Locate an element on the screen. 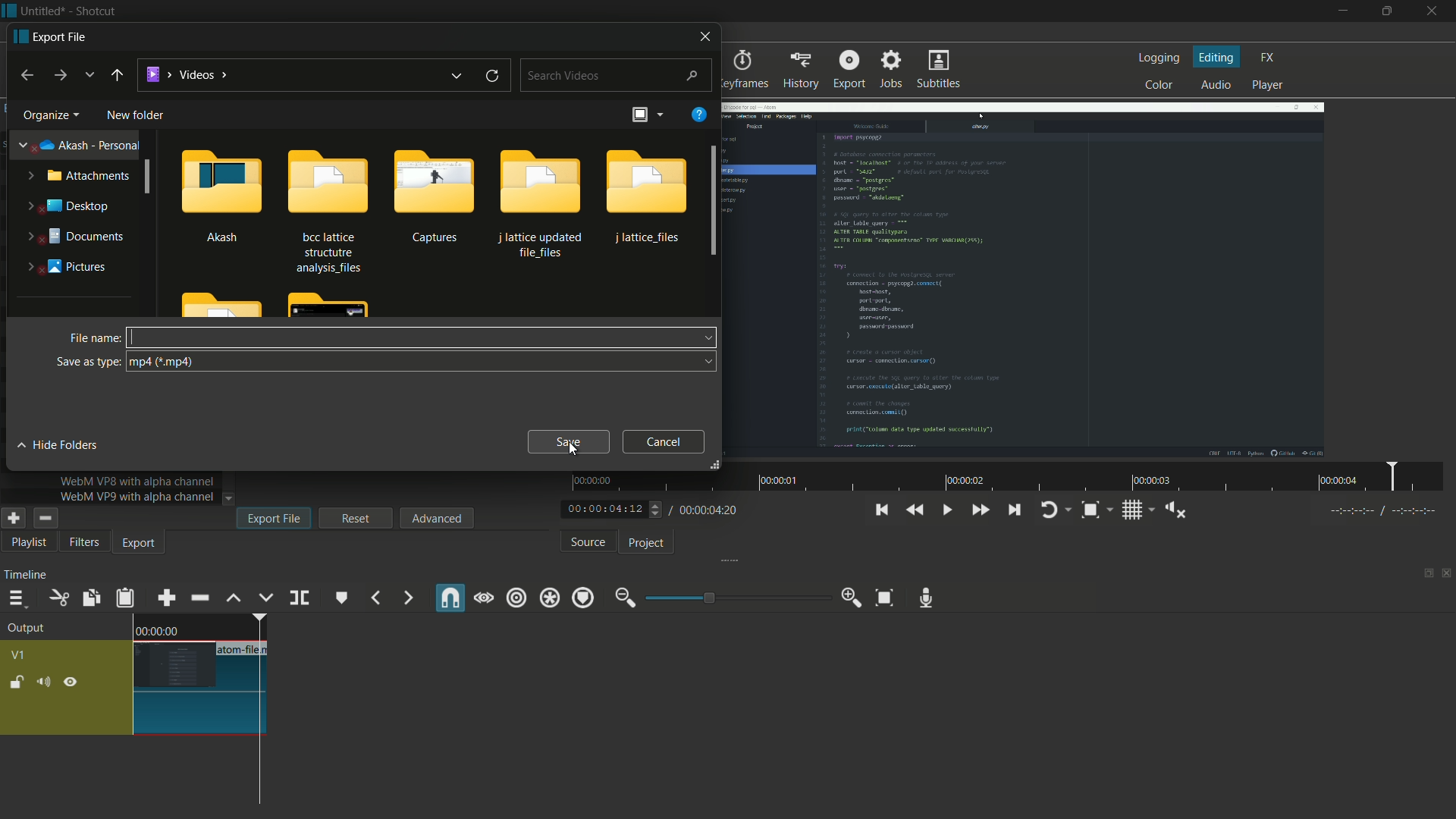 This screenshot has height=819, width=1456. close app is located at coordinates (1436, 12).